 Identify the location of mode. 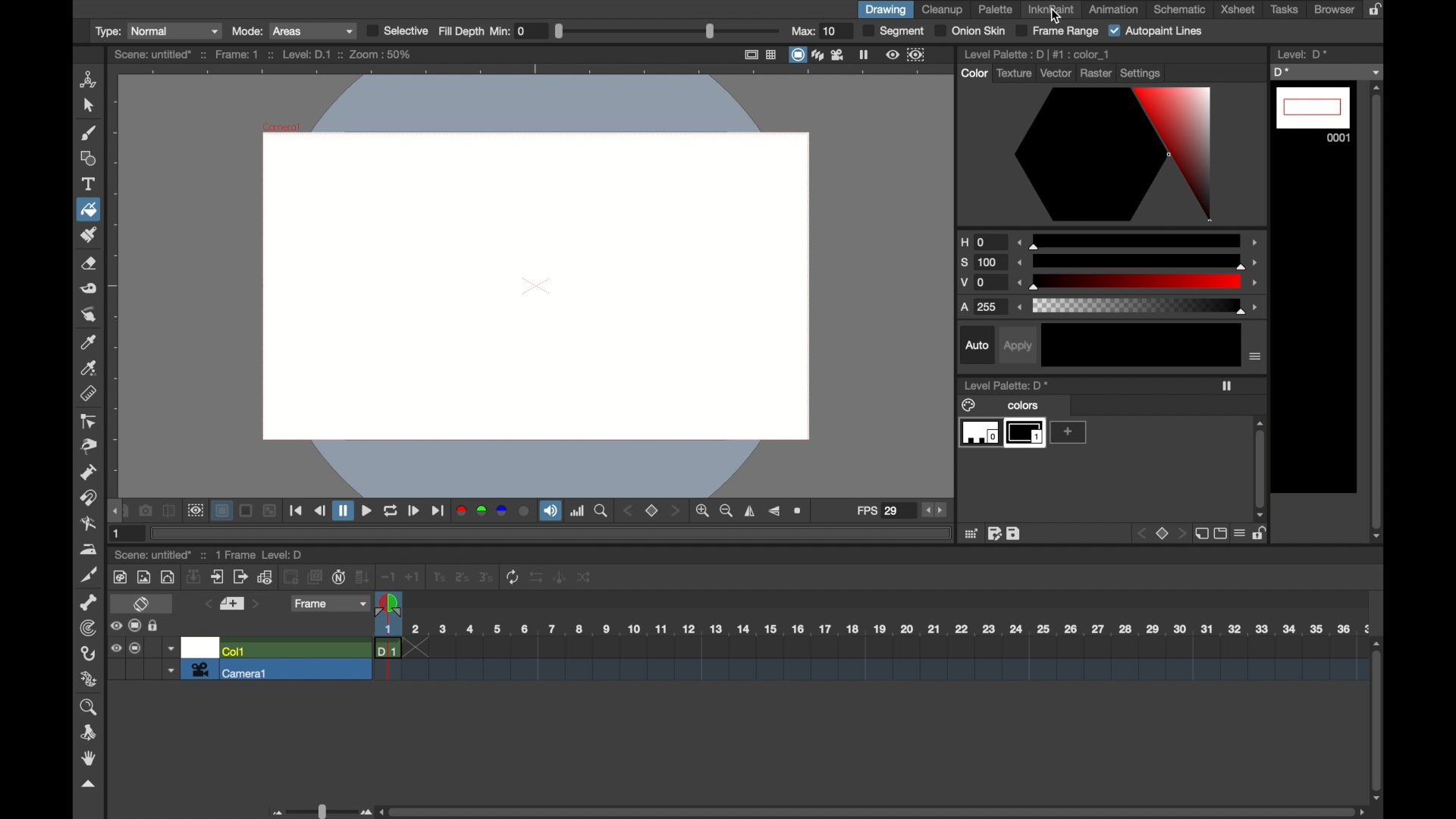
(293, 31).